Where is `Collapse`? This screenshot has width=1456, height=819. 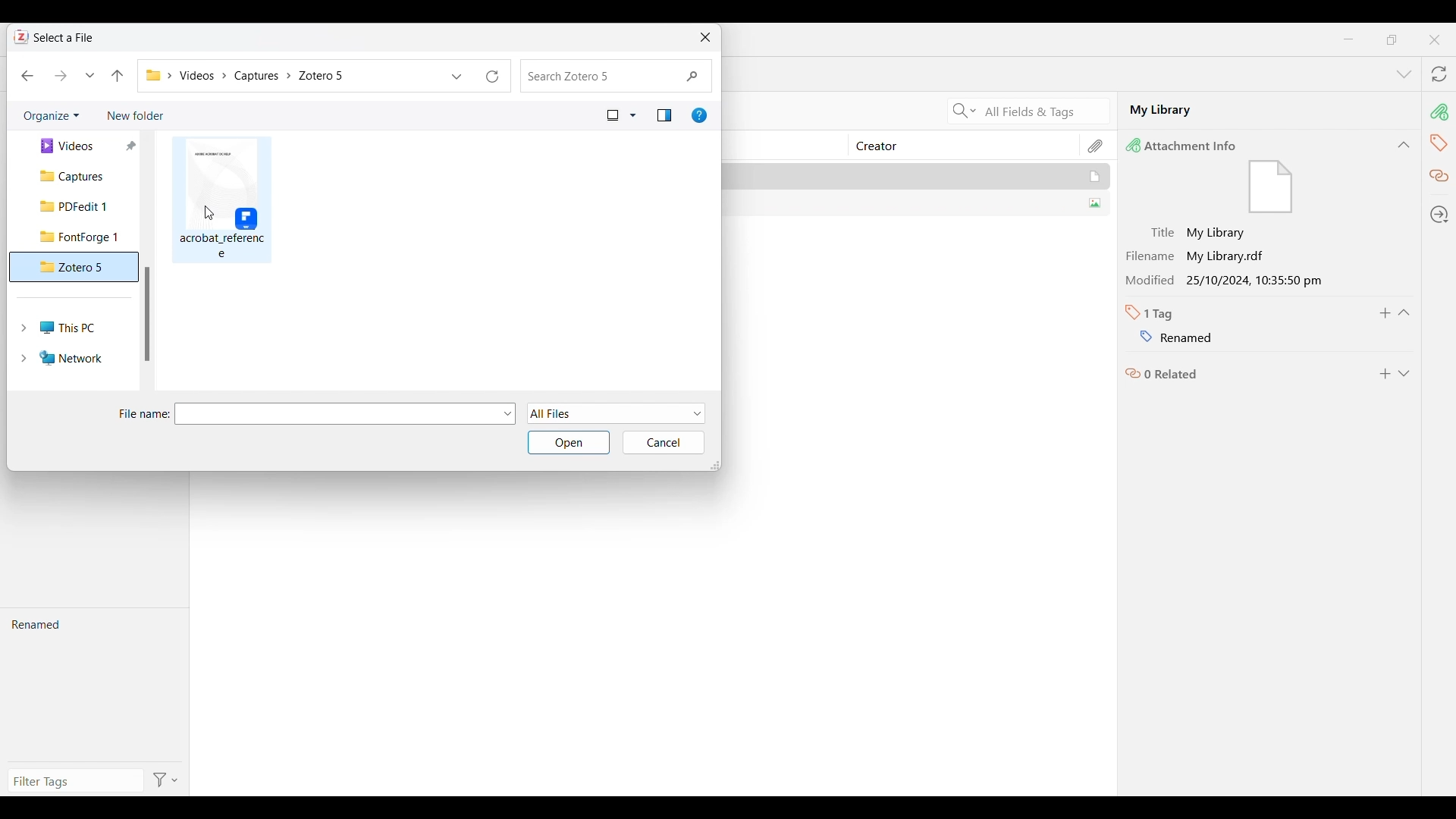 Collapse is located at coordinates (1404, 312).